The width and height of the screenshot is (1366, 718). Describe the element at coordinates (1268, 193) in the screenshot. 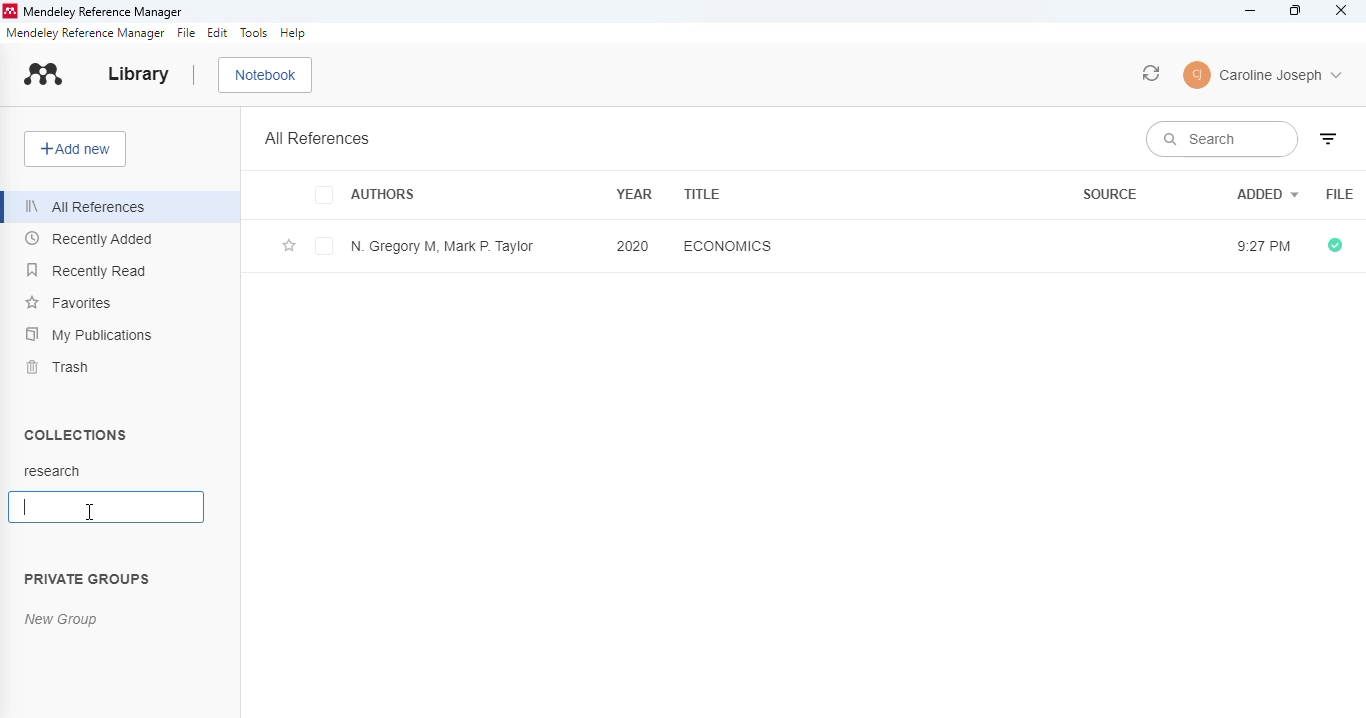

I see `added` at that location.